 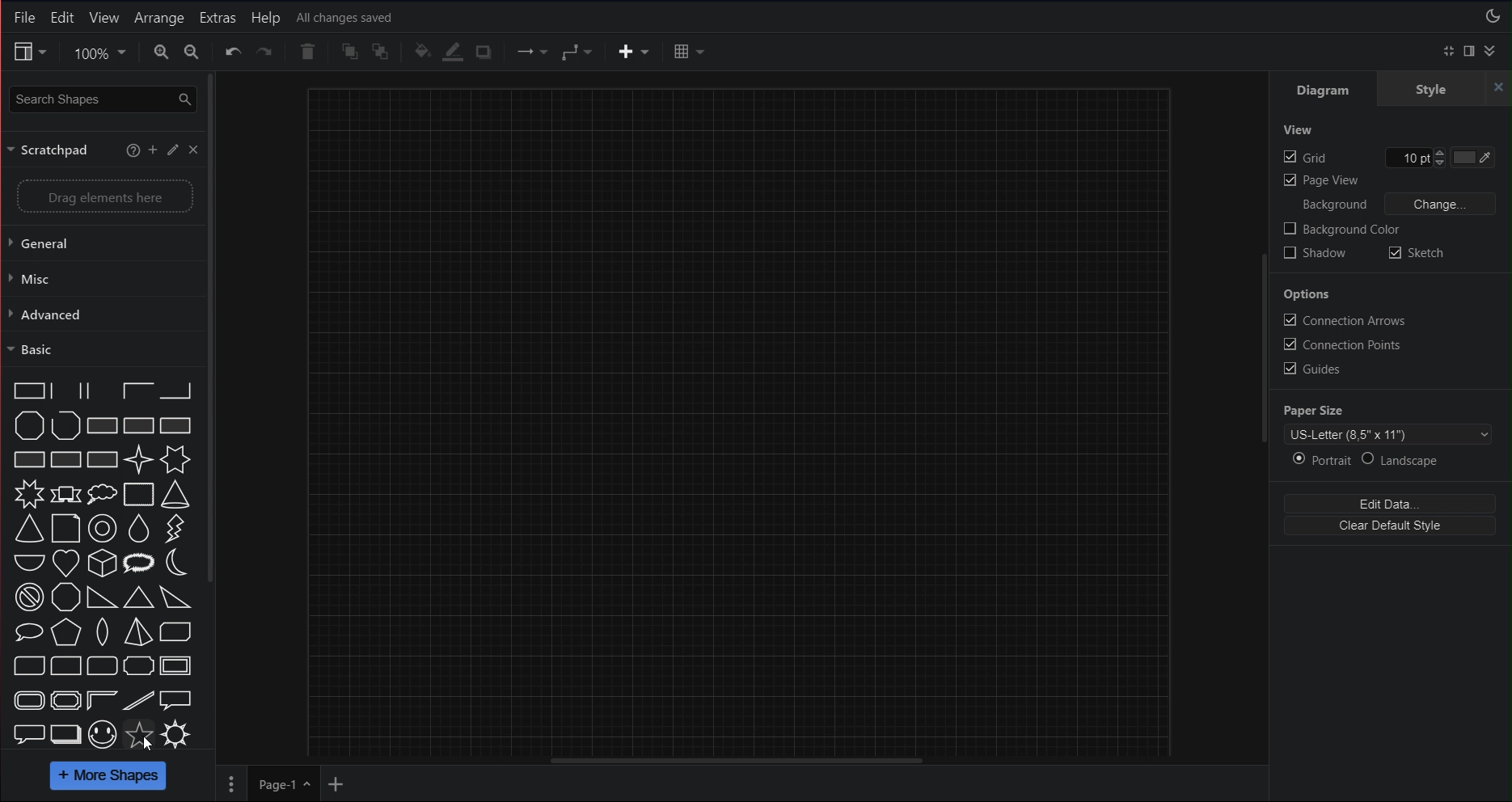 I want to click on diagonal snip rectangle, so click(x=176, y=631).